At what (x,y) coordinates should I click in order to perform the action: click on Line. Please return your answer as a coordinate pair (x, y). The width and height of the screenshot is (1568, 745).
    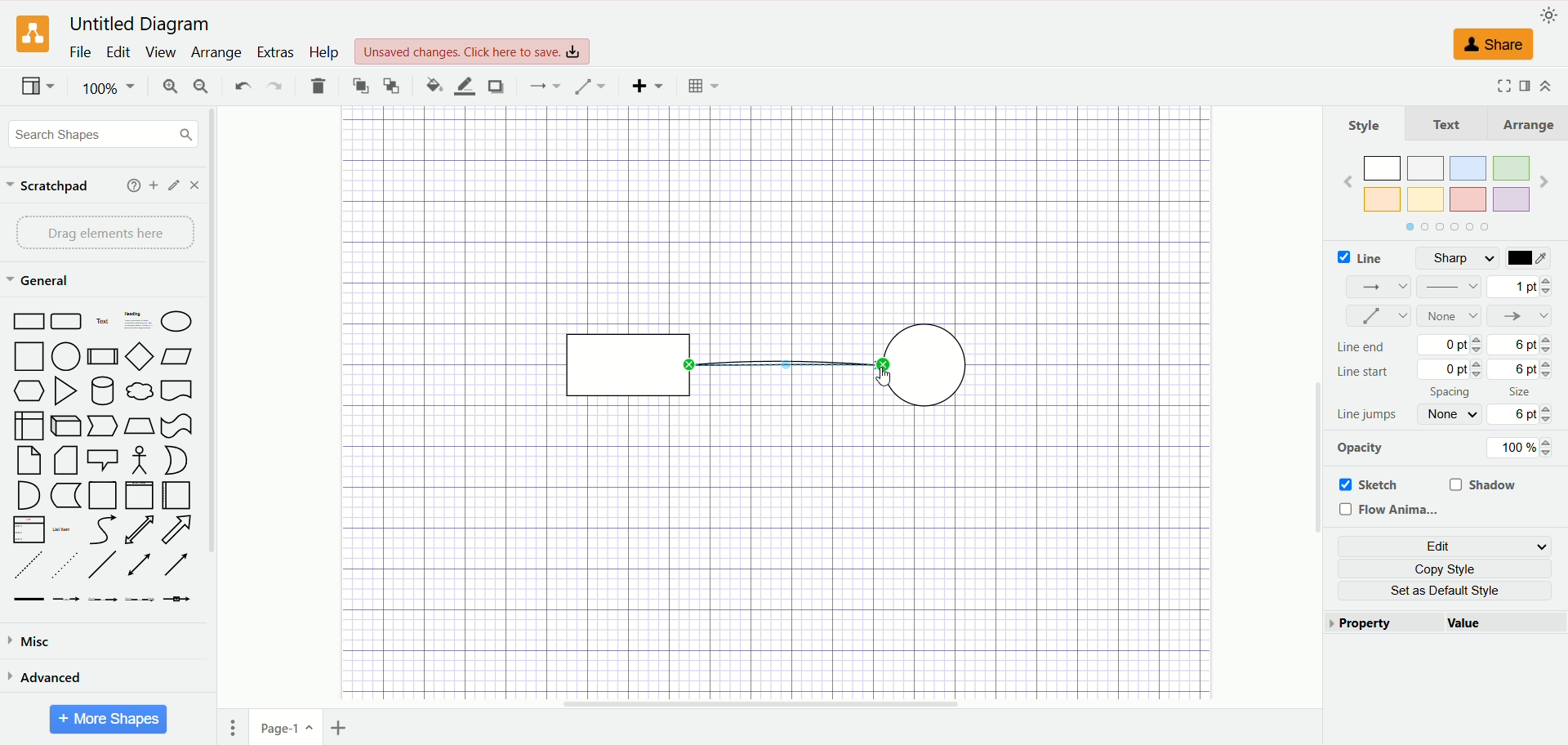
    Looking at the image, I should click on (104, 565).